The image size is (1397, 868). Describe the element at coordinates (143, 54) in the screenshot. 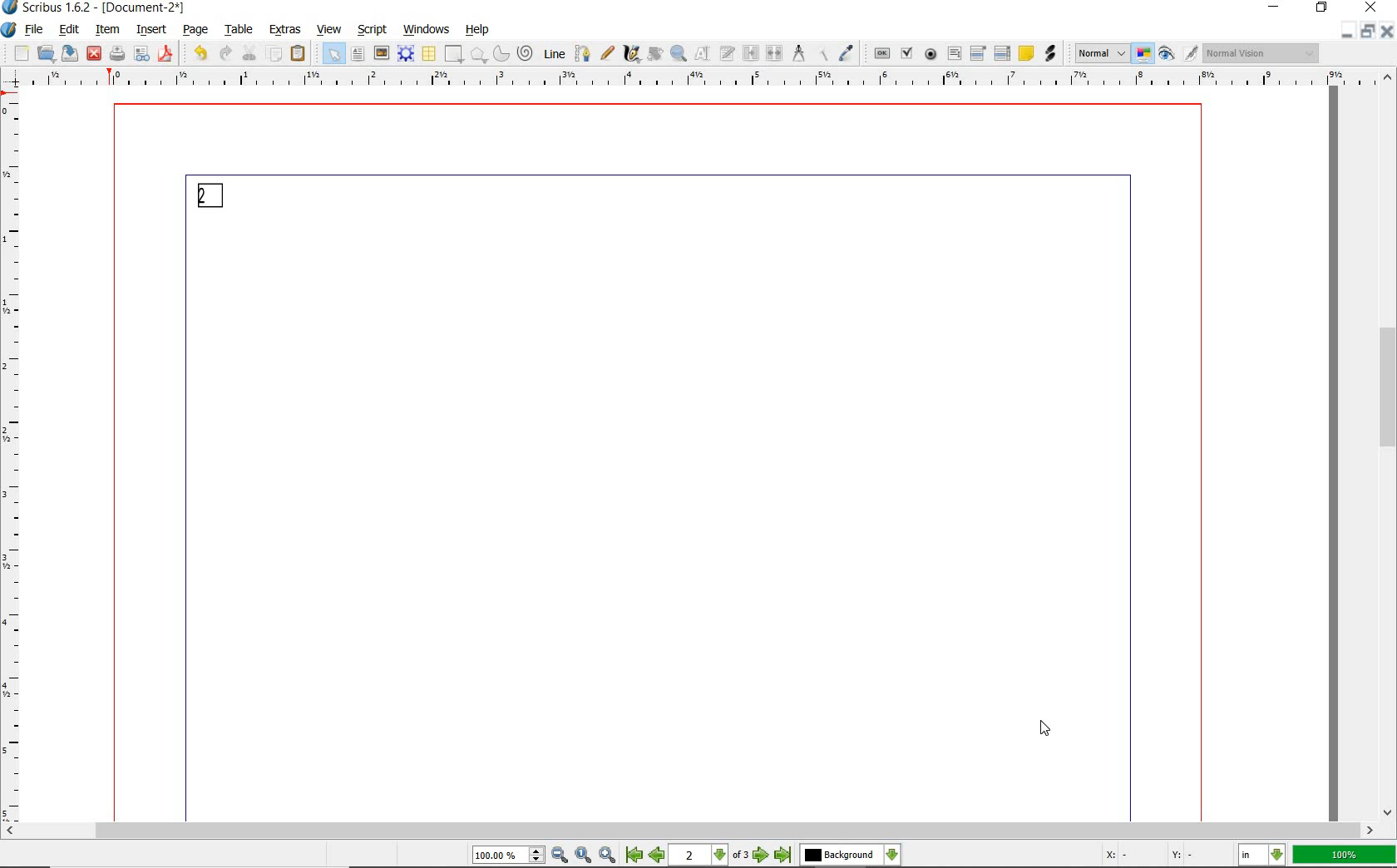

I see `preflight verifier` at that location.